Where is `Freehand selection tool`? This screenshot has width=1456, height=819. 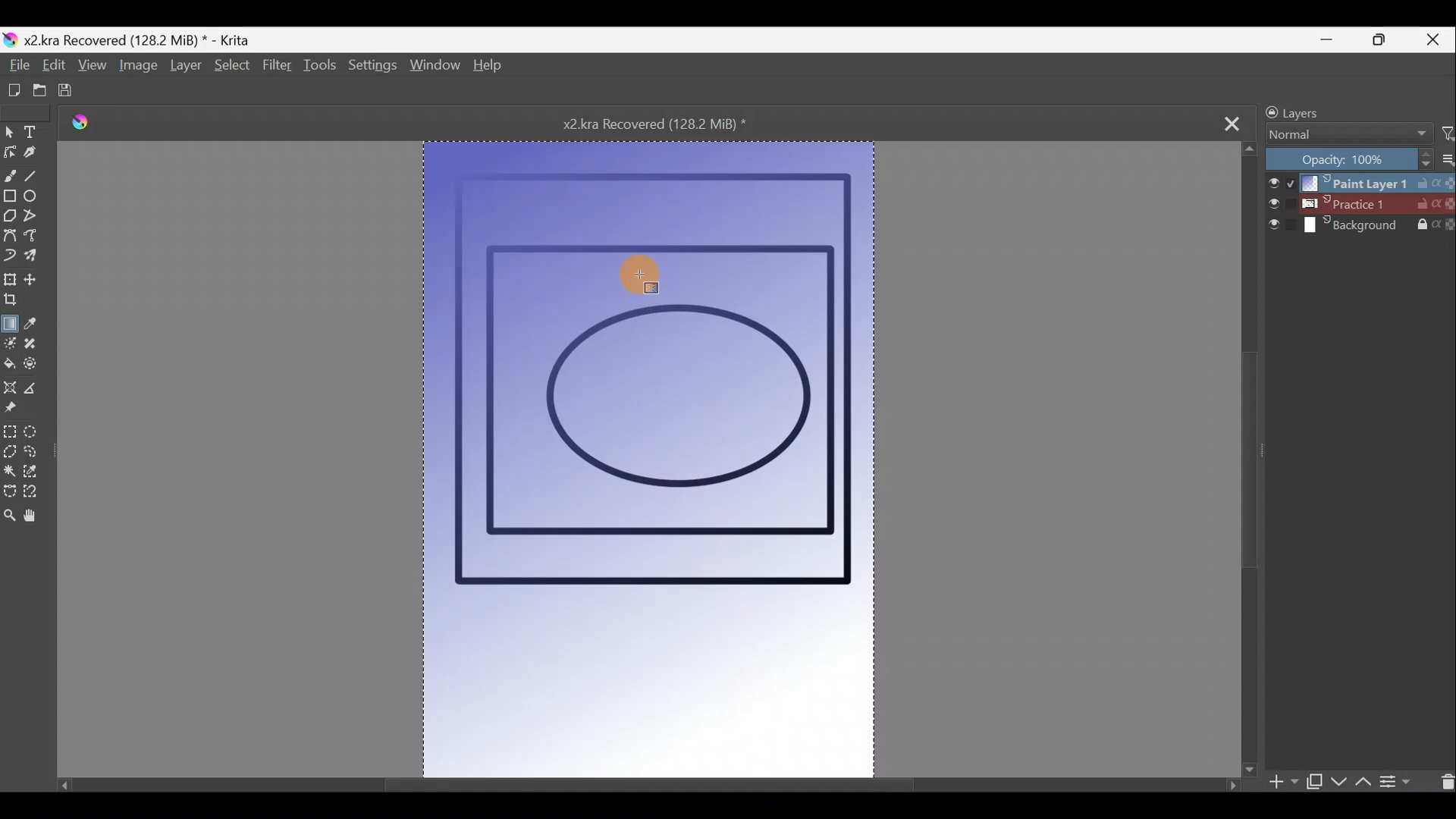 Freehand selection tool is located at coordinates (38, 454).